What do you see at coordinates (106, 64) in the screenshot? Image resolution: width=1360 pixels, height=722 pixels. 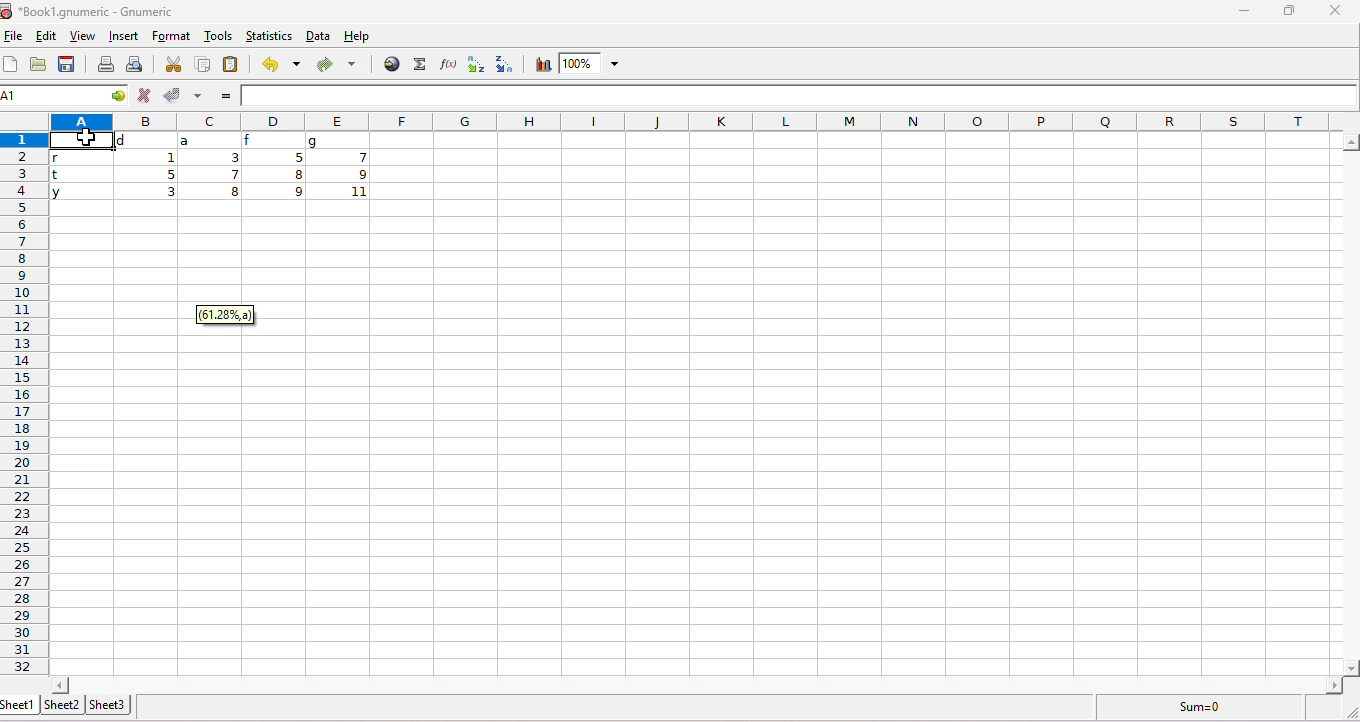 I see `print` at bounding box center [106, 64].